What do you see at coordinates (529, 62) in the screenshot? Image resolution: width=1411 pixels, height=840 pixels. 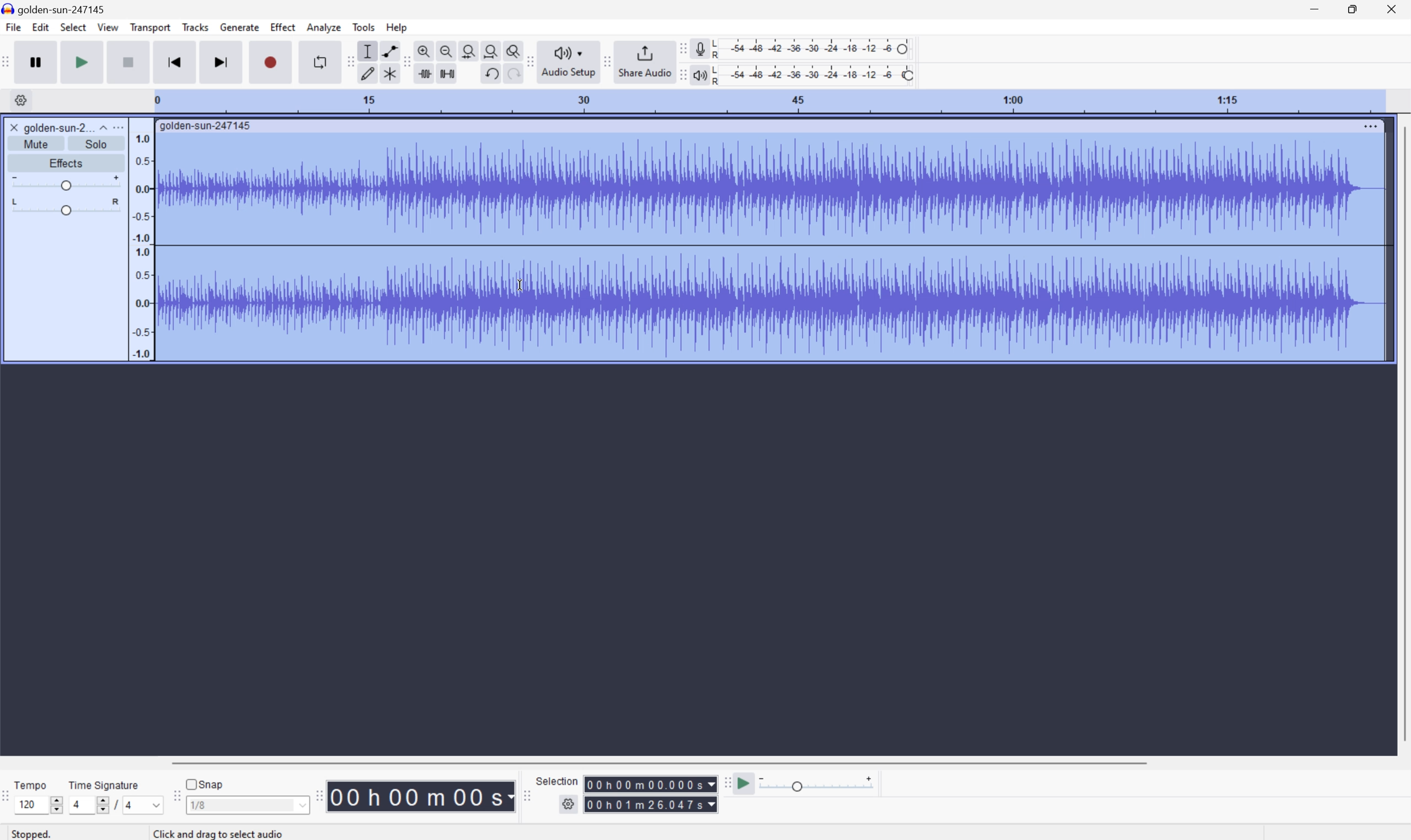 I see `Audacity audio setup toolbar` at bounding box center [529, 62].